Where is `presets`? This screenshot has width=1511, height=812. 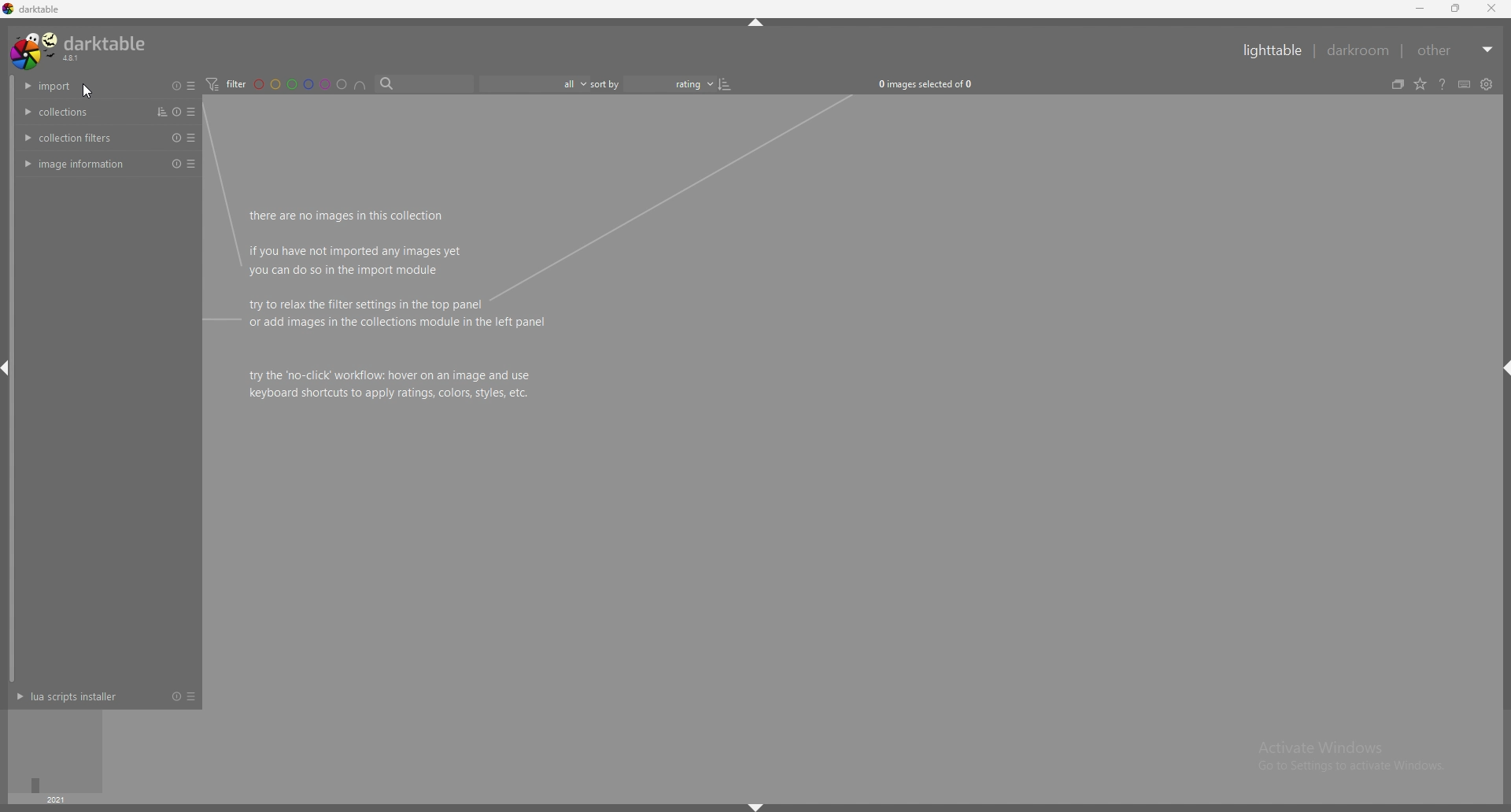
presets is located at coordinates (190, 696).